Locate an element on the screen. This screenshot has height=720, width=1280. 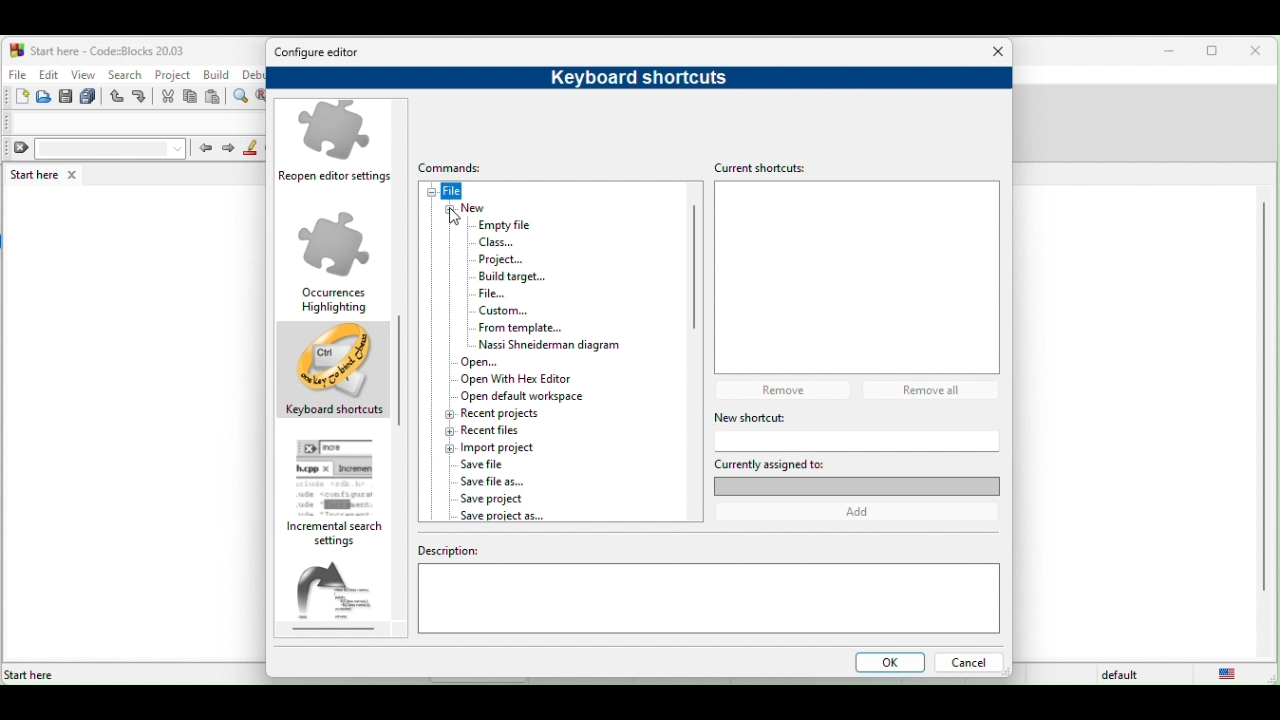
next  is located at coordinates (228, 149).